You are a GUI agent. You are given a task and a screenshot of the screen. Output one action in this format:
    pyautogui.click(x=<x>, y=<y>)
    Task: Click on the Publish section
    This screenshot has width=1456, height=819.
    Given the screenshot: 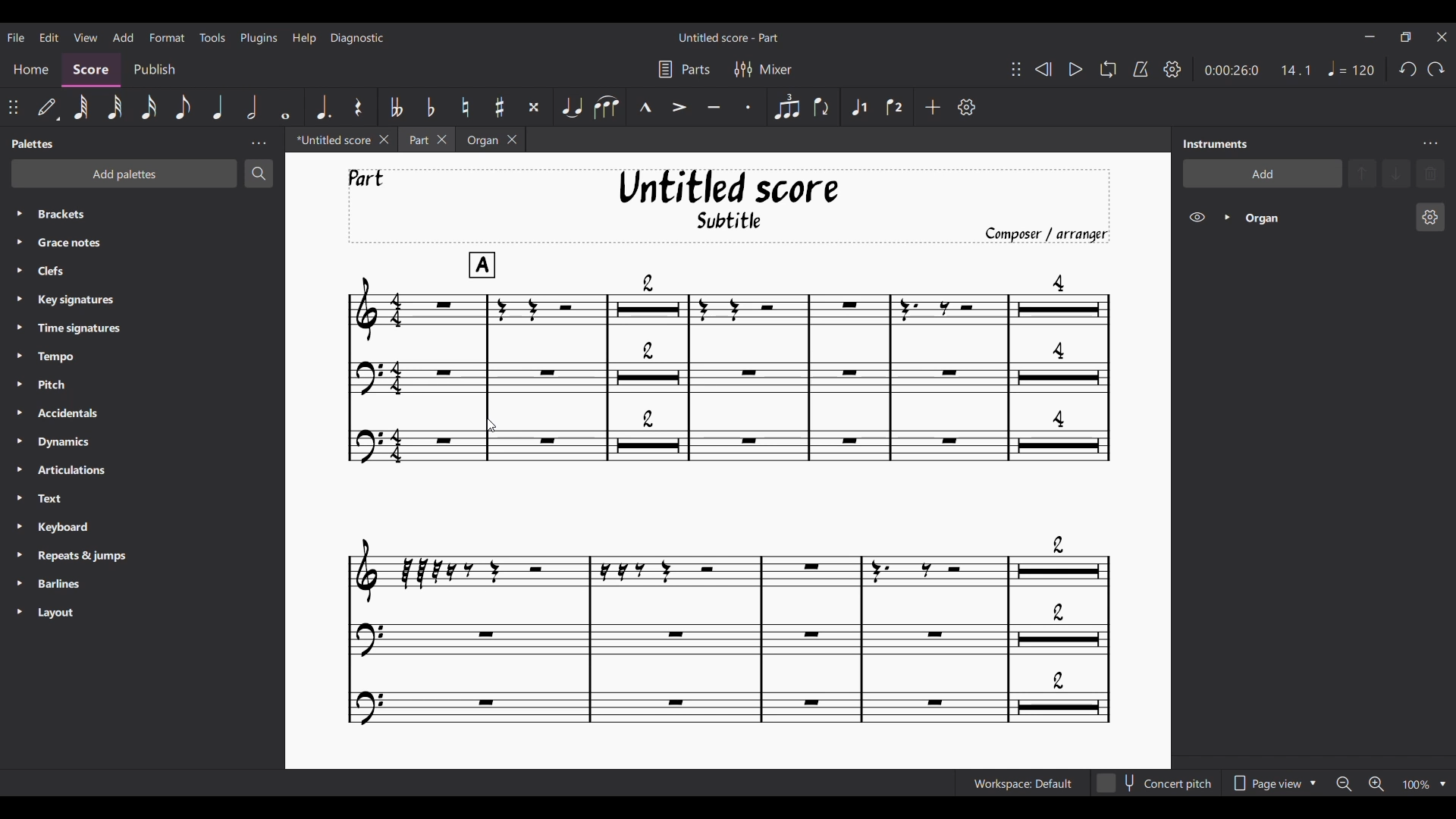 What is the action you would take?
    pyautogui.click(x=157, y=71)
    